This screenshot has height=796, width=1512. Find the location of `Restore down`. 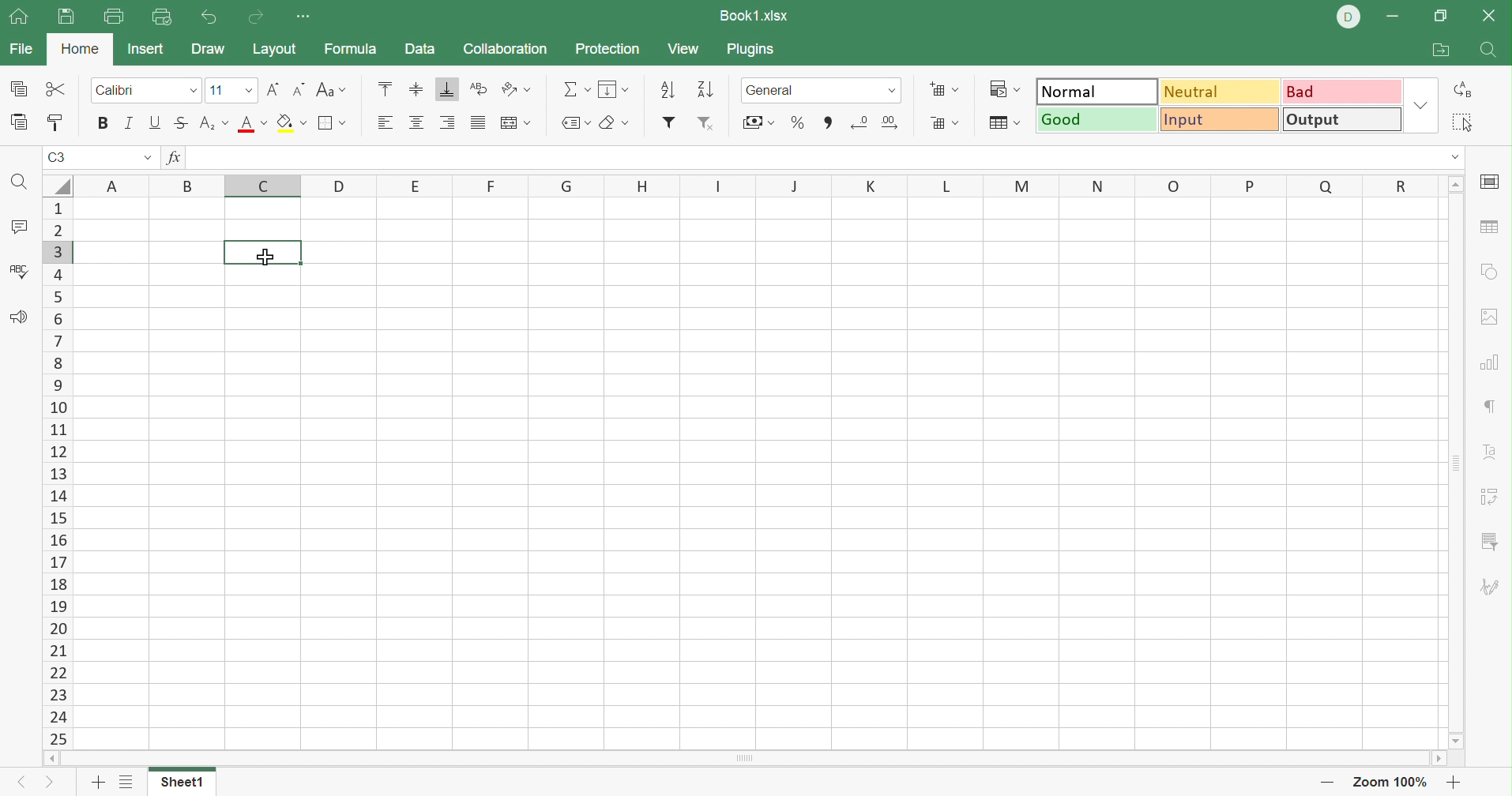

Restore down is located at coordinates (1442, 16).